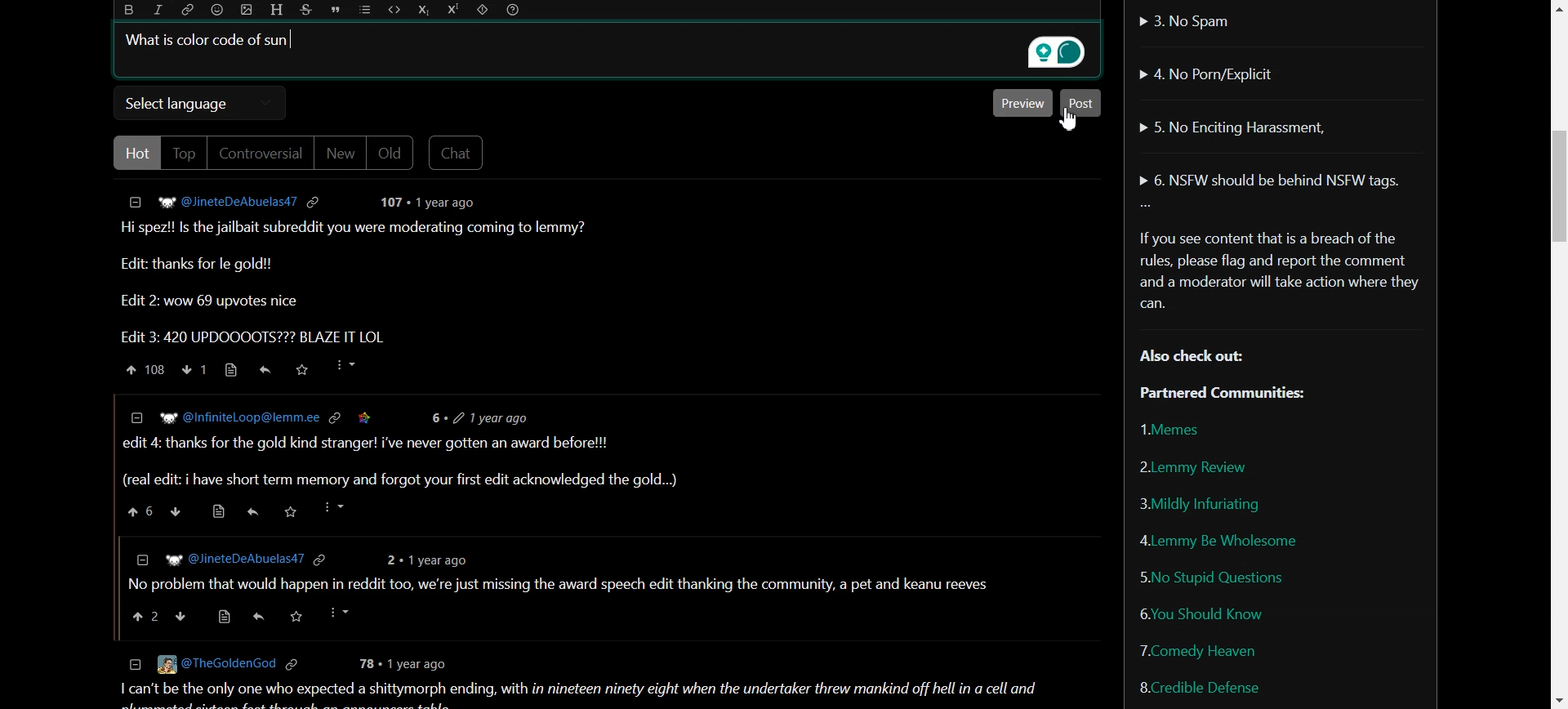  Describe the element at coordinates (1554, 354) in the screenshot. I see `Vertical Scroll bar` at that location.